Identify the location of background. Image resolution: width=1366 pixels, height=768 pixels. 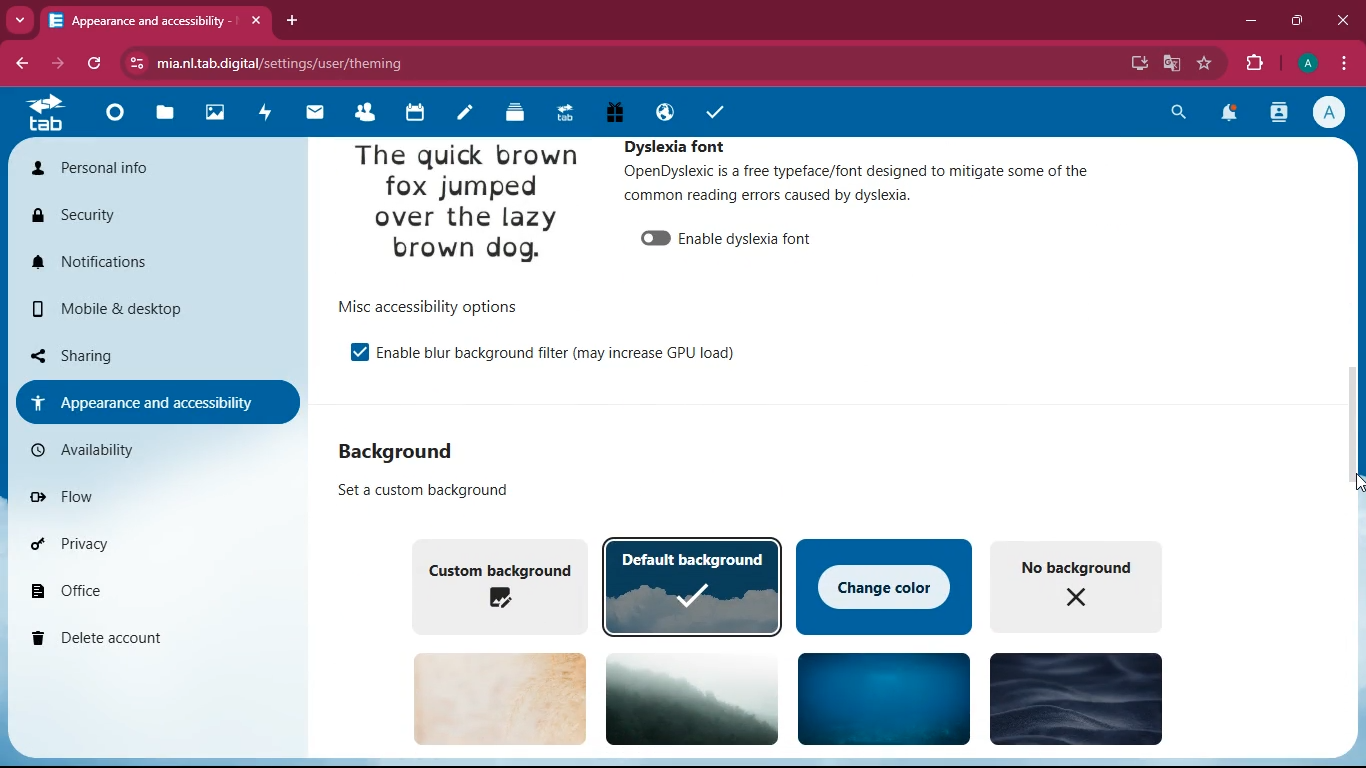
(695, 698).